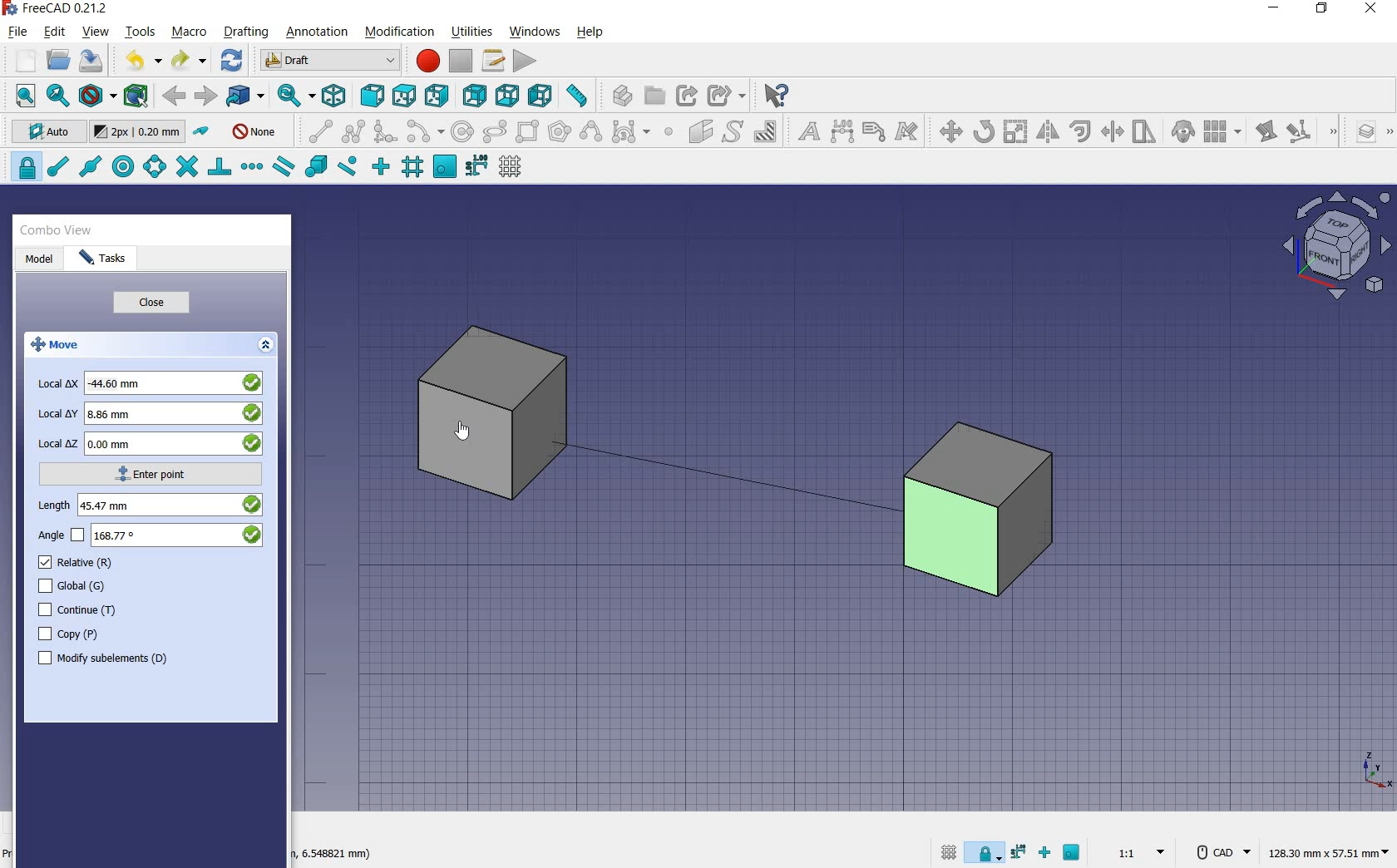 Image resolution: width=1397 pixels, height=868 pixels. What do you see at coordinates (437, 95) in the screenshot?
I see `right` at bounding box center [437, 95].